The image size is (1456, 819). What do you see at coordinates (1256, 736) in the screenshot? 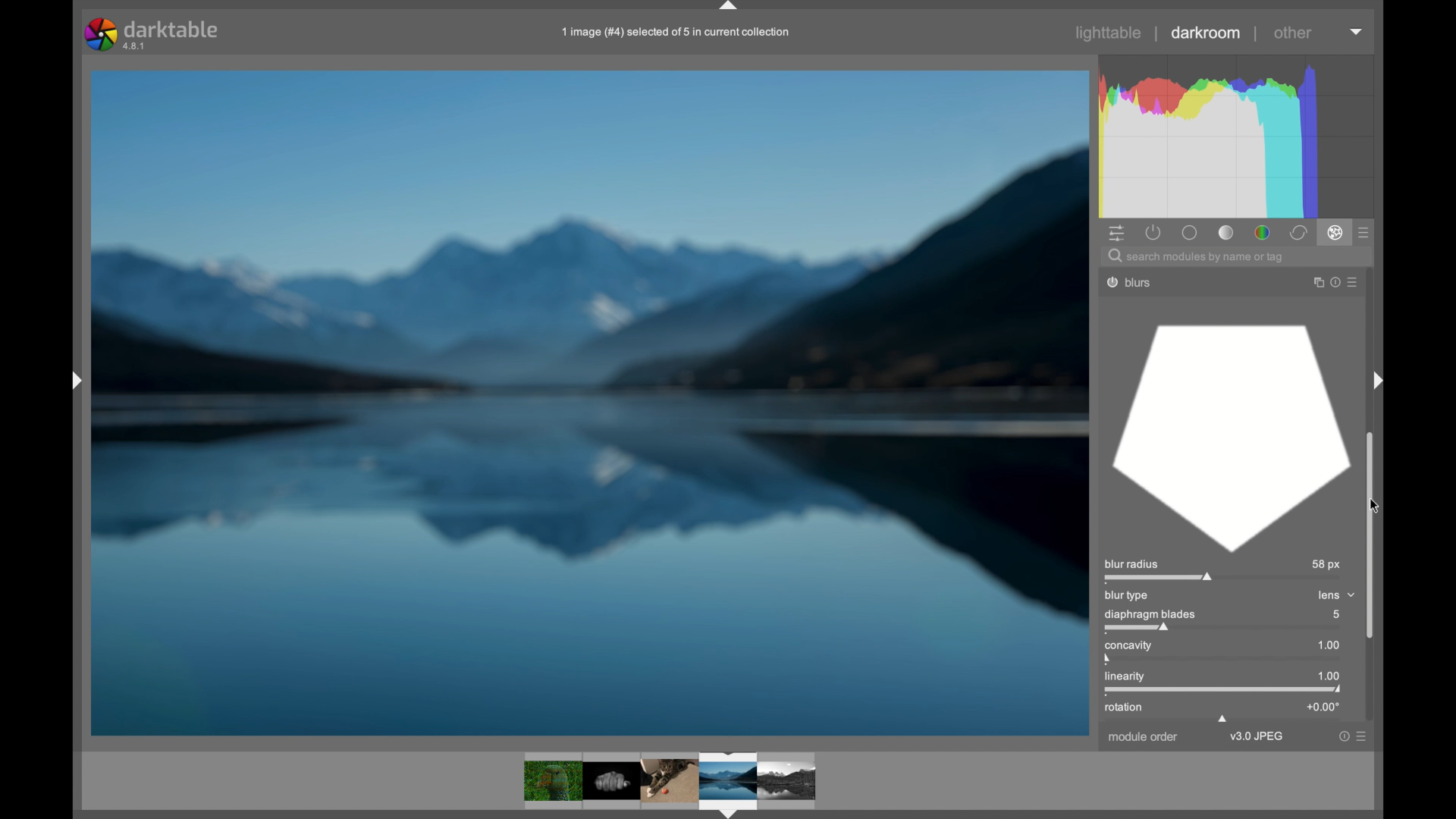
I see `v3.0jpeg` at bounding box center [1256, 736].